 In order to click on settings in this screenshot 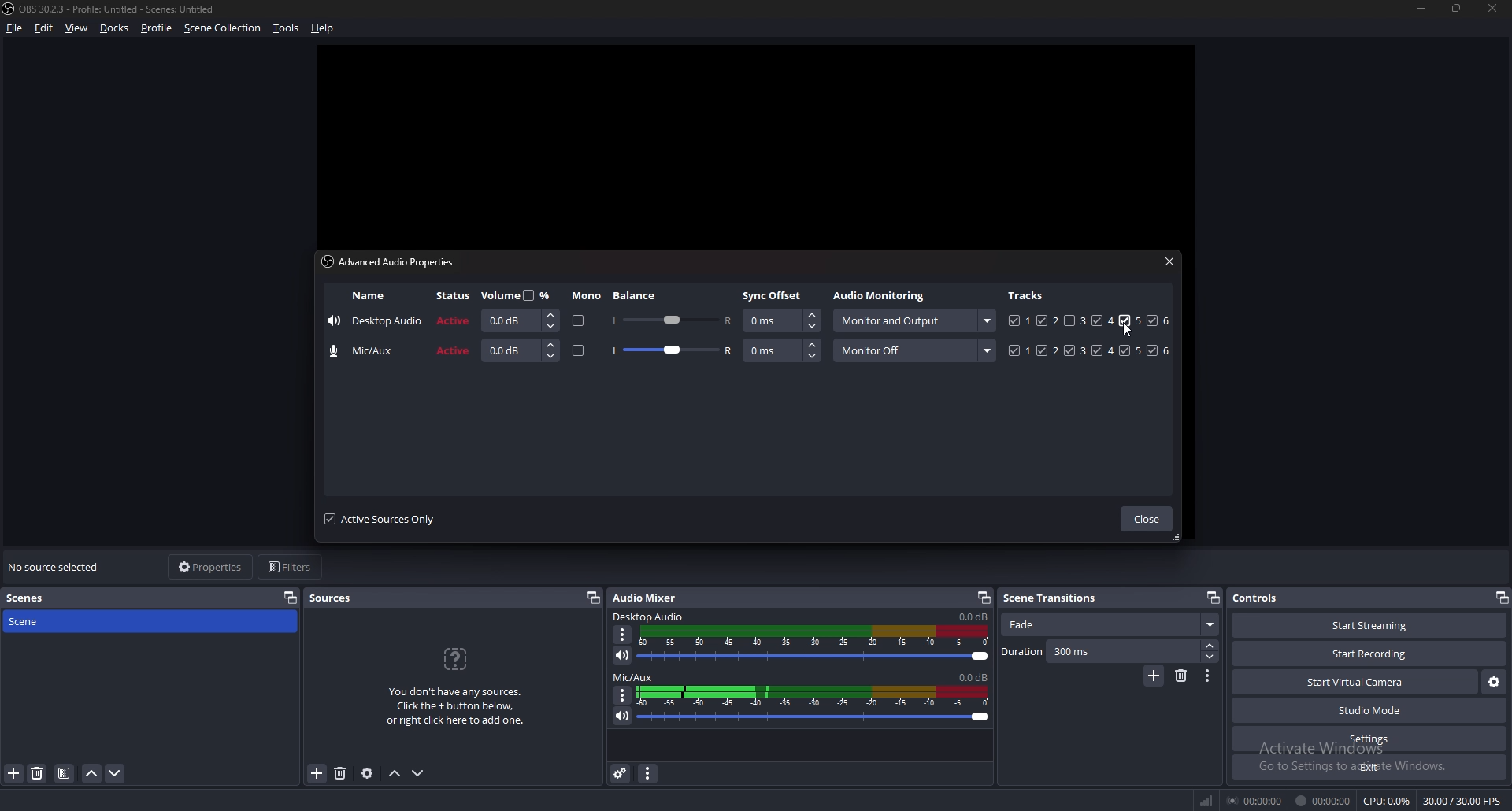, I will do `click(1369, 739)`.